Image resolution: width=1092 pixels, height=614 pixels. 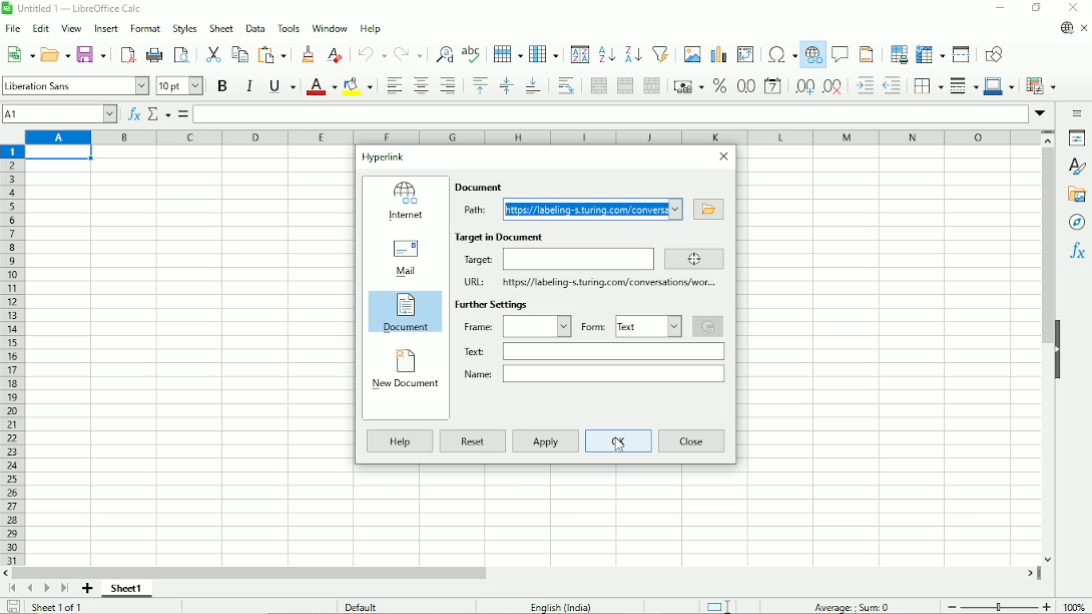 I want to click on Bold, so click(x=222, y=86).